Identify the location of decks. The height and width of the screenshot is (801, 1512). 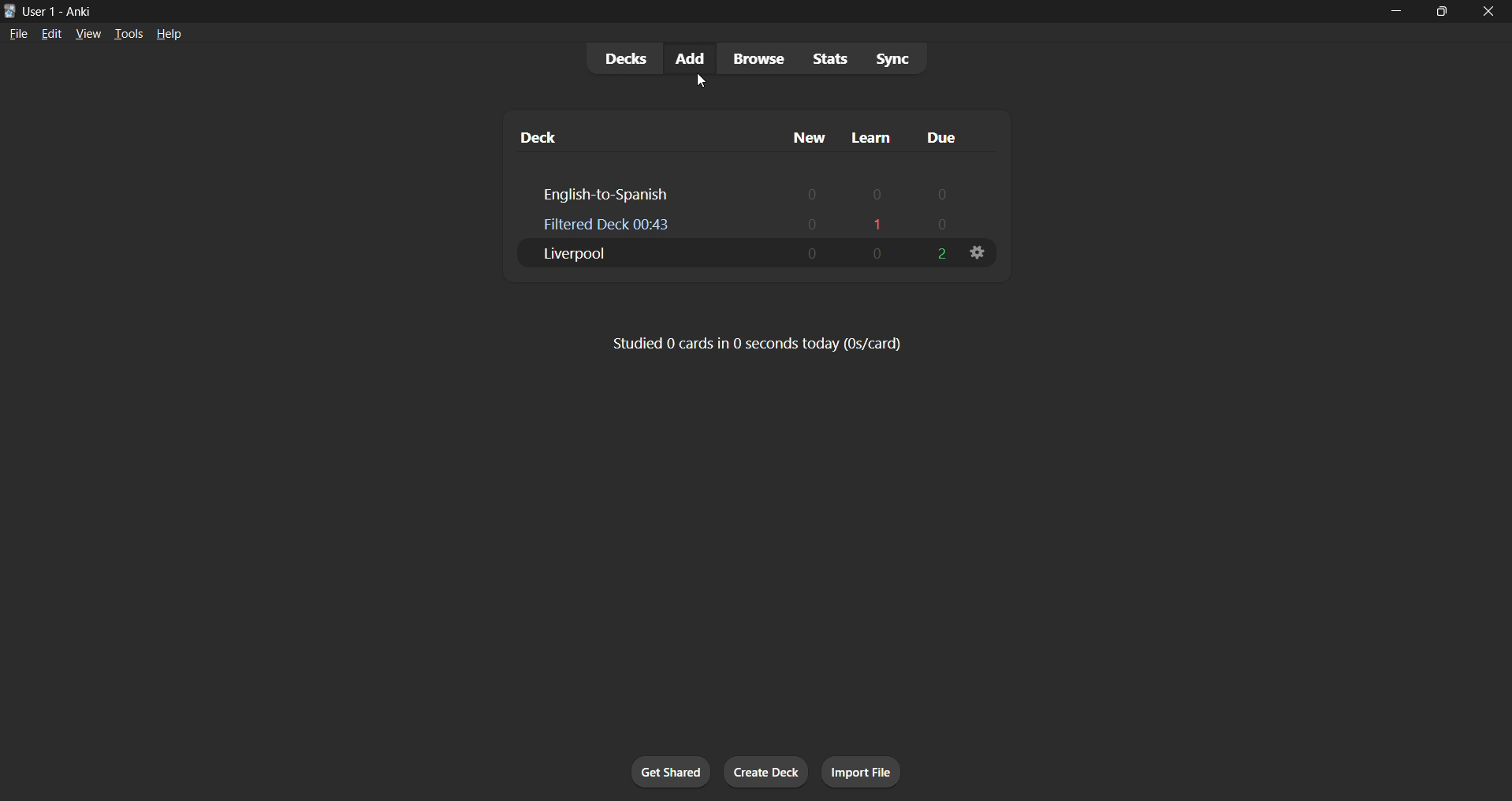
(620, 58).